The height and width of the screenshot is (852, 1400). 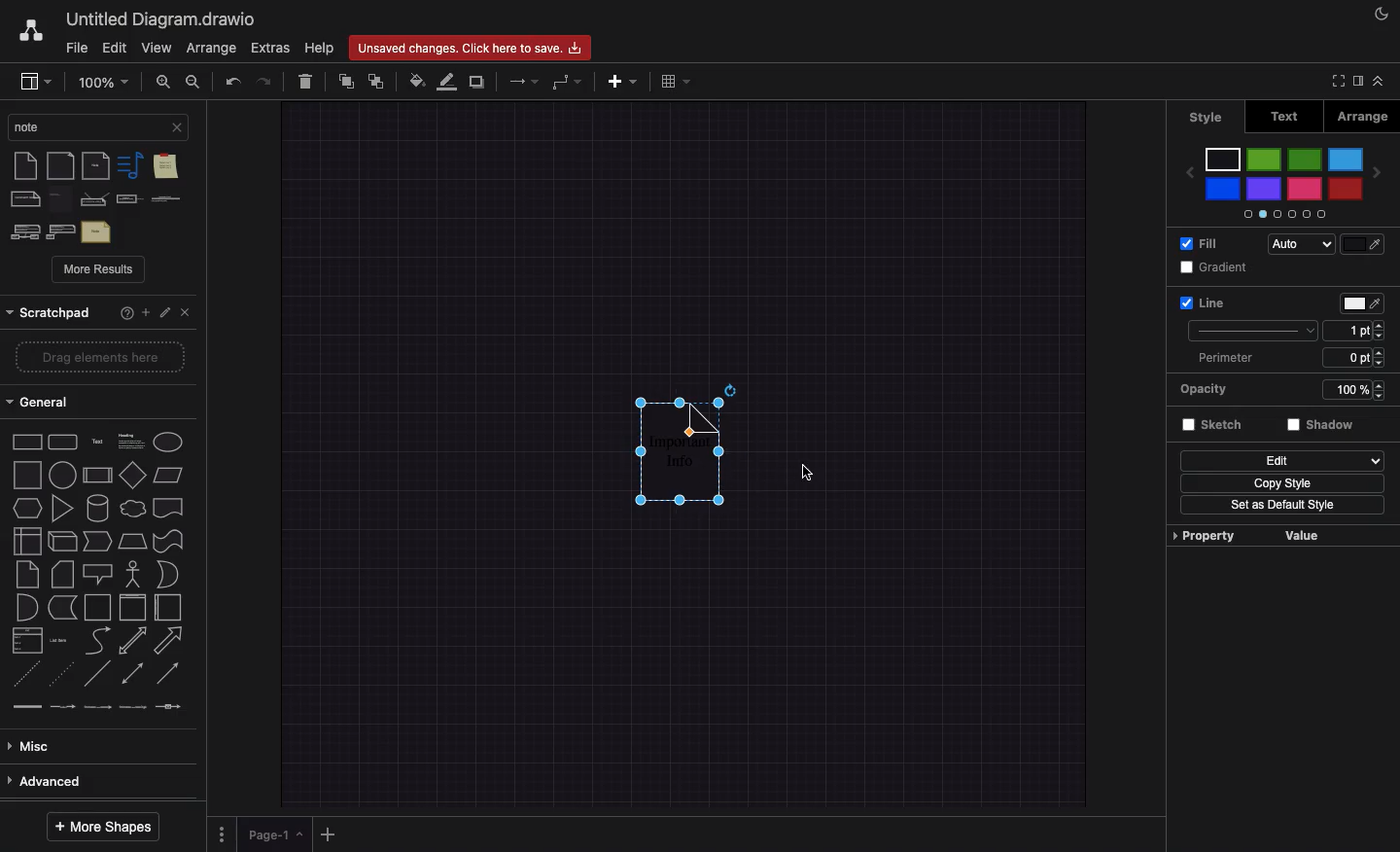 What do you see at coordinates (26, 476) in the screenshot?
I see `square` at bounding box center [26, 476].